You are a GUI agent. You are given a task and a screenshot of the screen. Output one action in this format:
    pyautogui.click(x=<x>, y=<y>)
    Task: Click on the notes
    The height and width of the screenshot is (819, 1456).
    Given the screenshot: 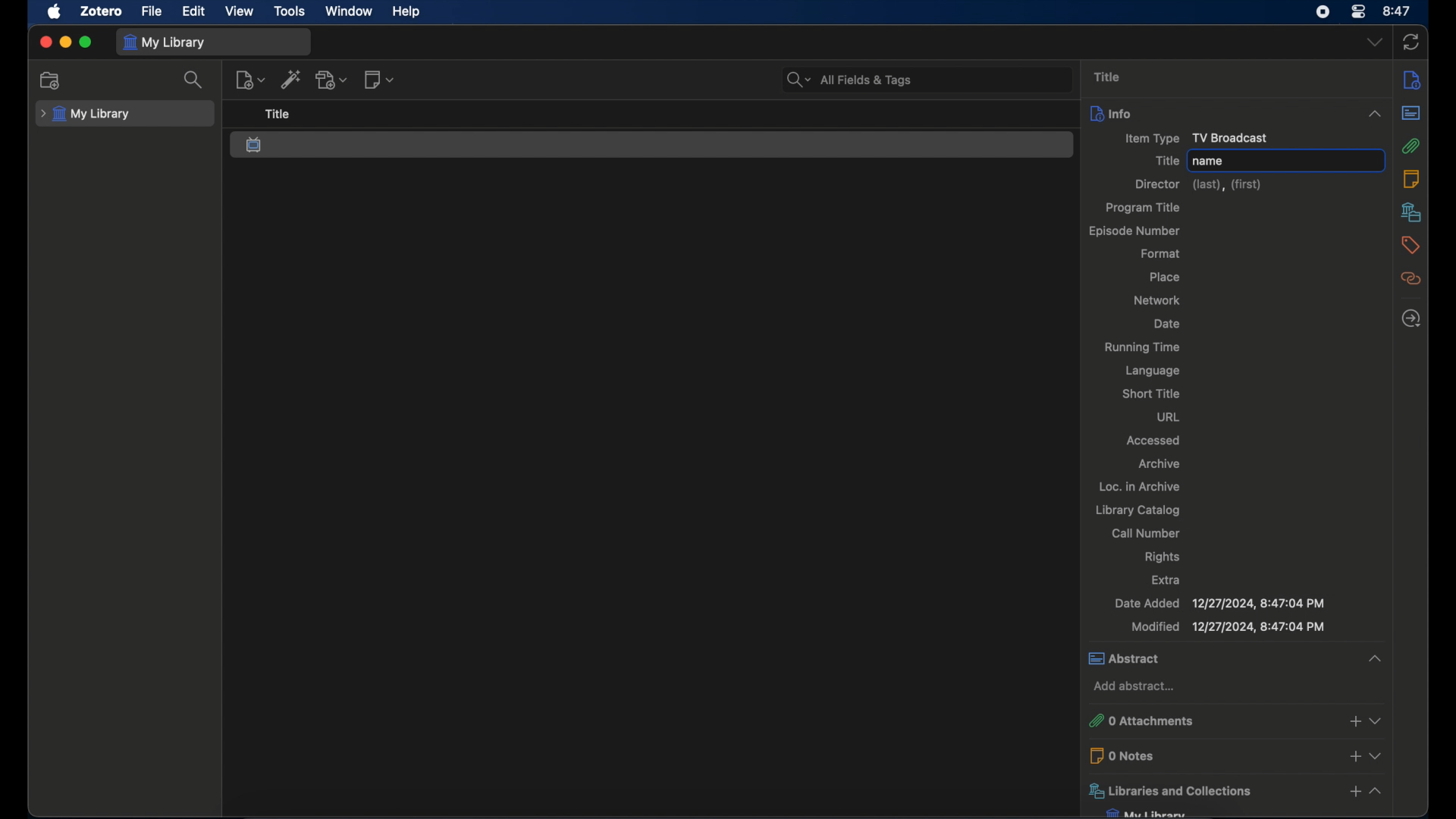 What is the action you would take?
    pyautogui.click(x=1410, y=178)
    